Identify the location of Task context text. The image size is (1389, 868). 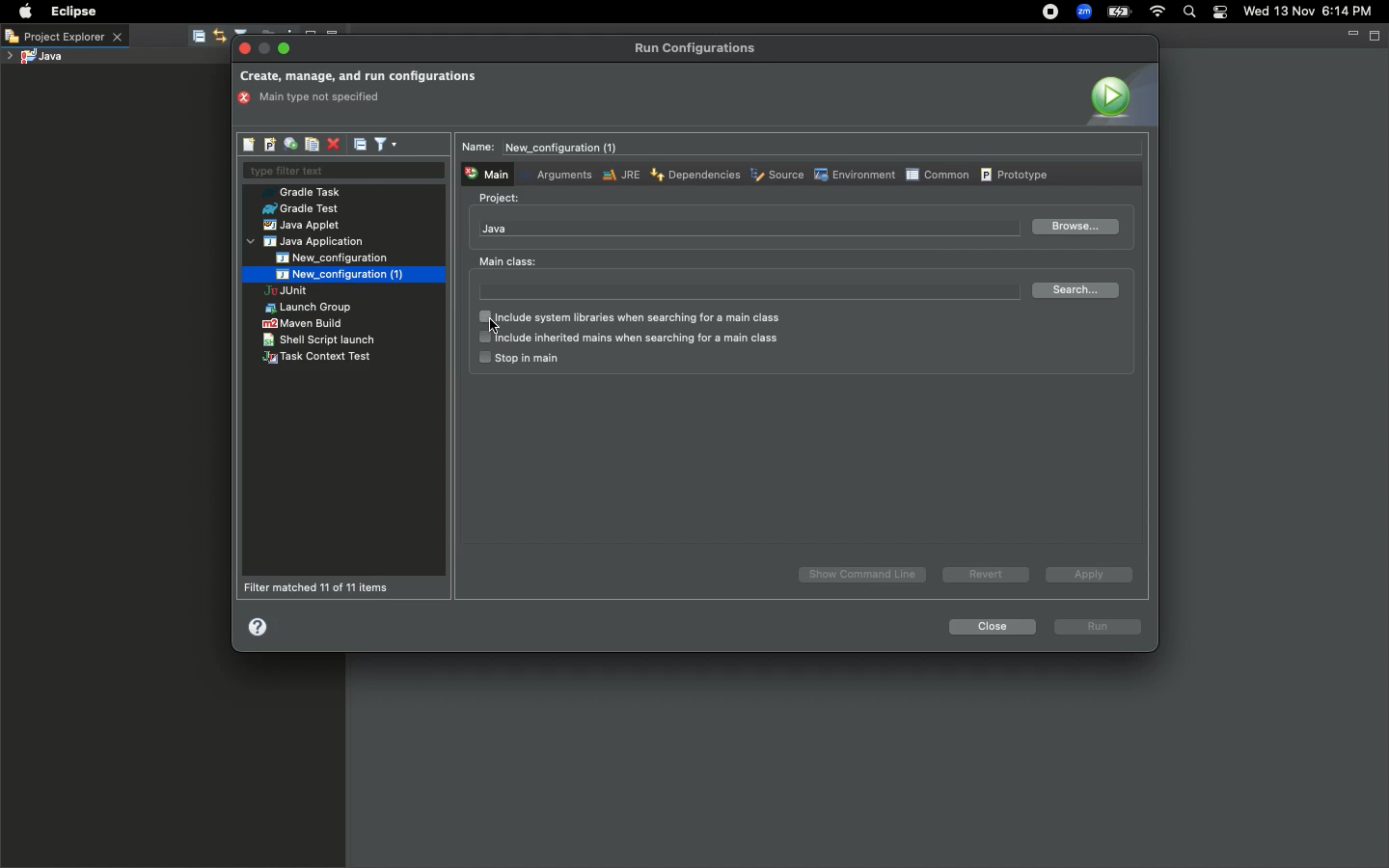
(319, 358).